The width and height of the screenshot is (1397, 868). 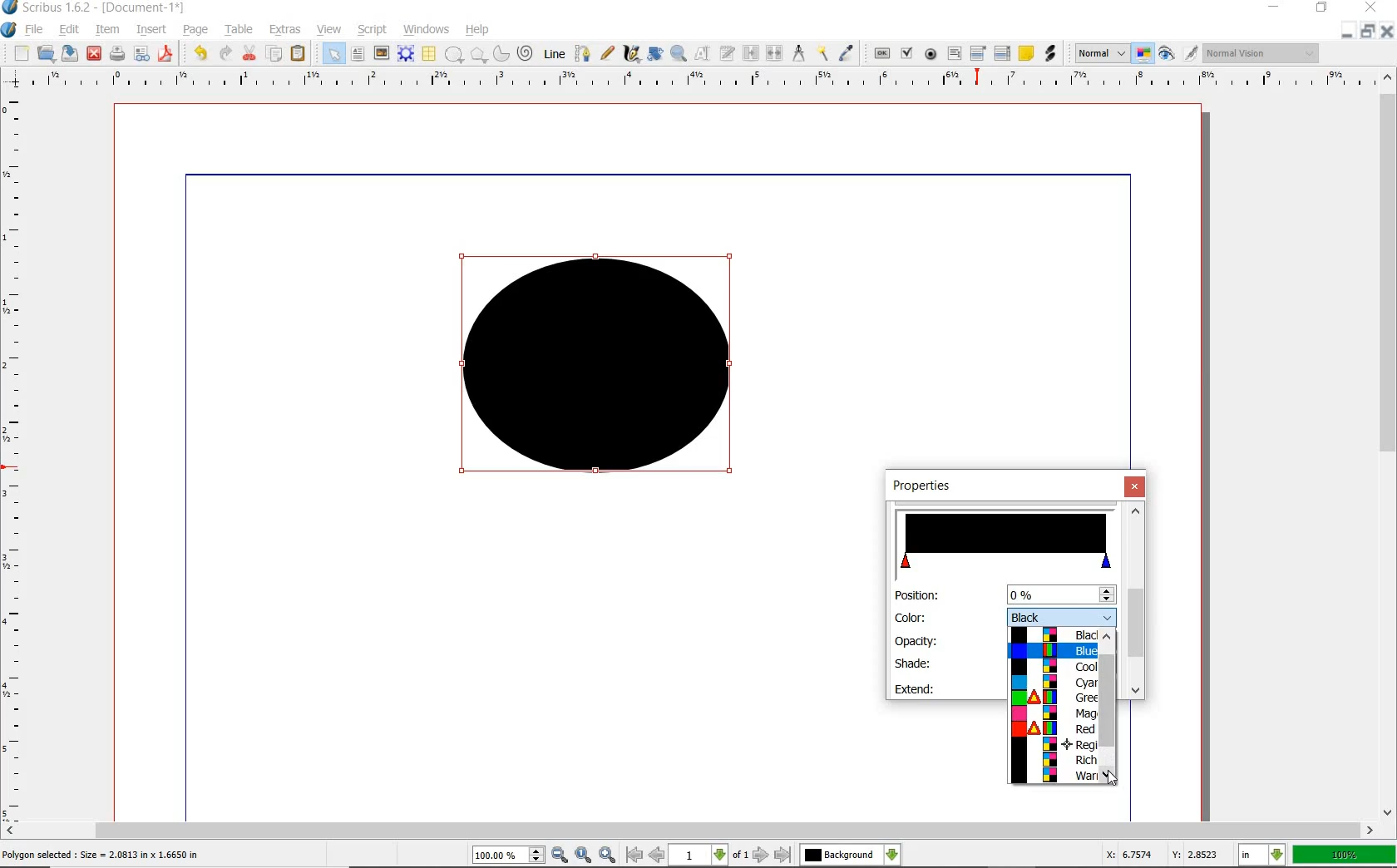 What do you see at coordinates (916, 596) in the screenshot?
I see `position` at bounding box center [916, 596].